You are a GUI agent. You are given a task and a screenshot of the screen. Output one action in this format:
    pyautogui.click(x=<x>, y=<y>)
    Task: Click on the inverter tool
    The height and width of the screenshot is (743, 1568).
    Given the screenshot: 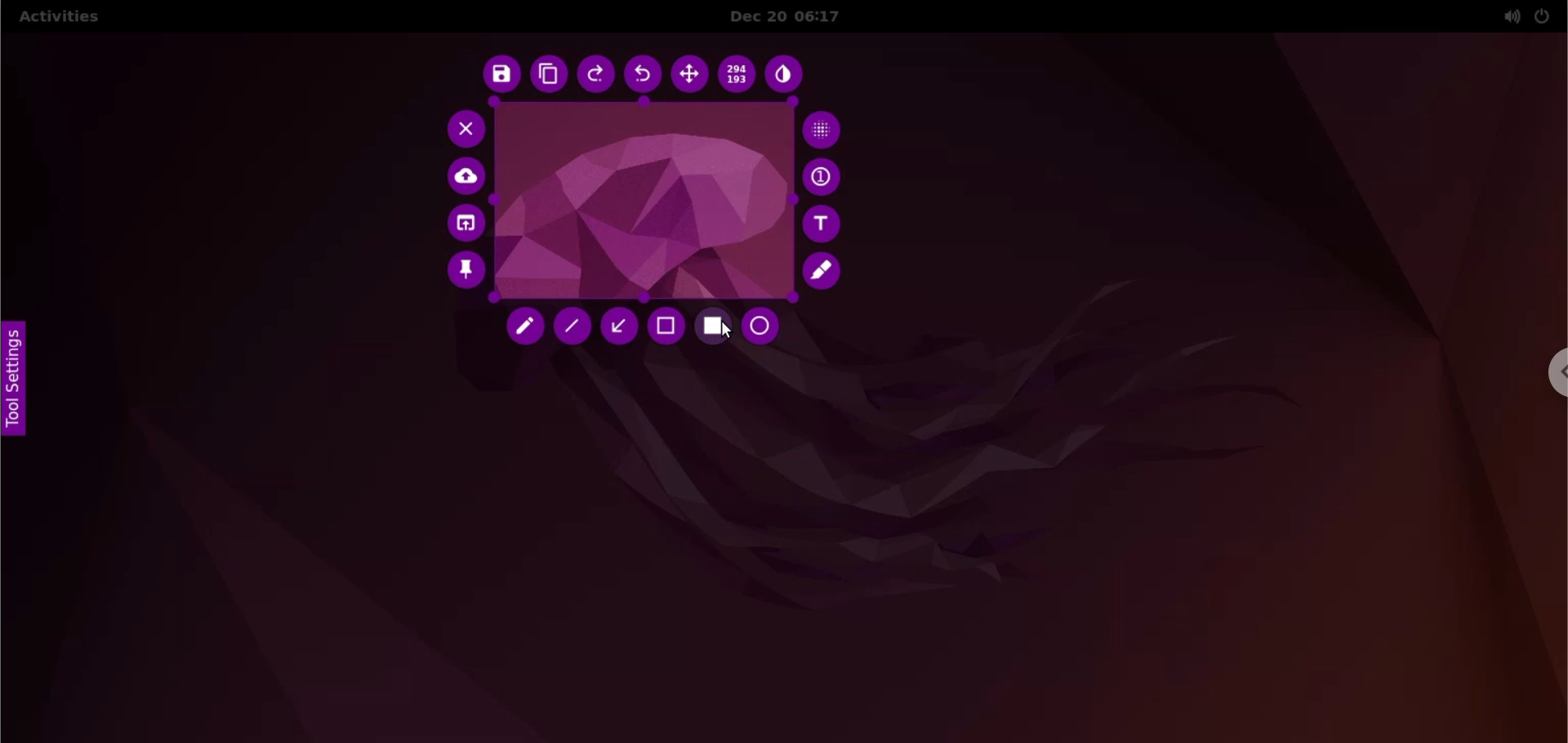 What is the action you would take?
    pyautogui.click(x=786, y=77)
    